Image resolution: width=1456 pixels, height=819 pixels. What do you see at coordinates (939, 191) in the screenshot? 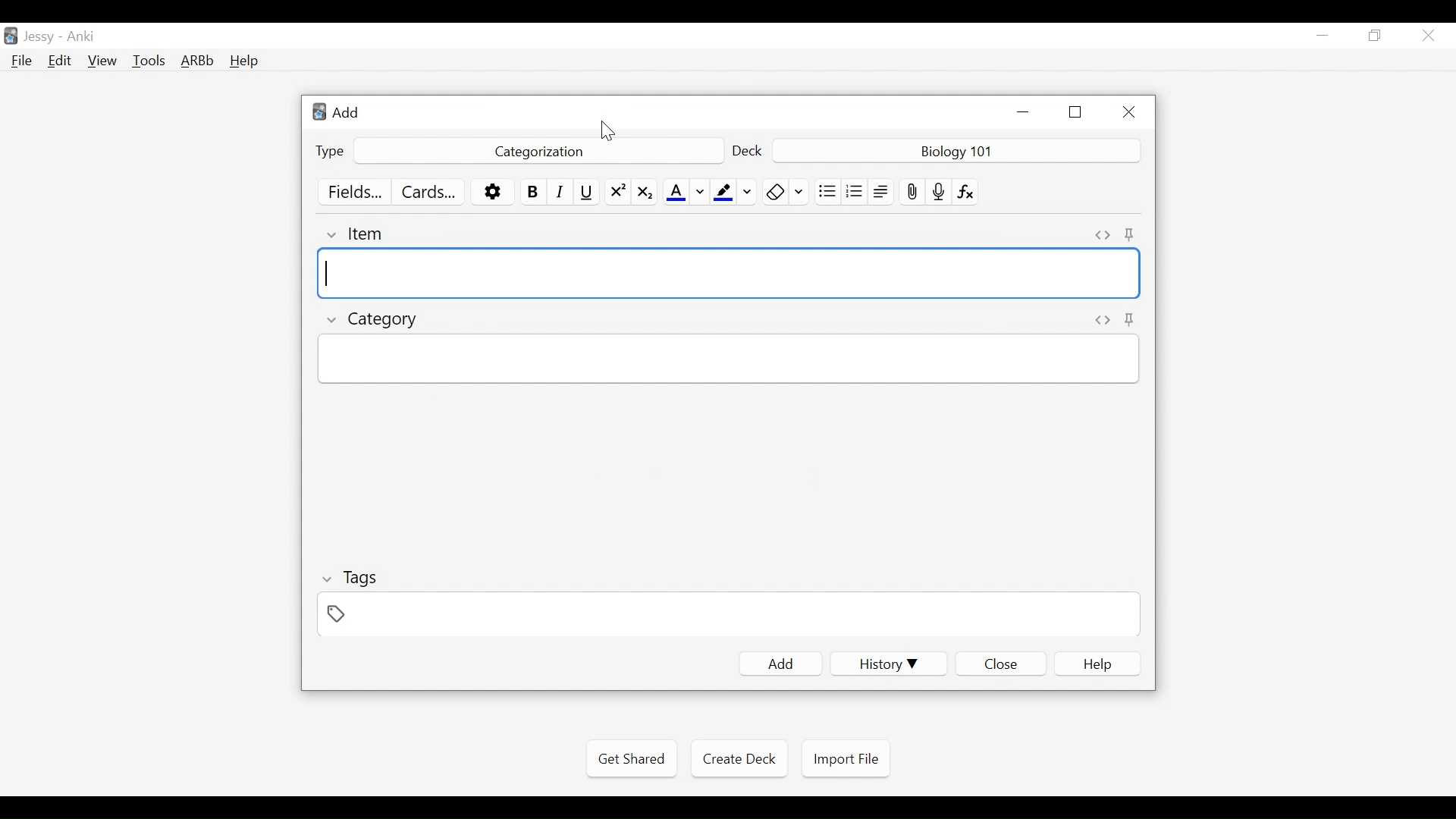
I see `Record audio` at bounding box center [939, 191].